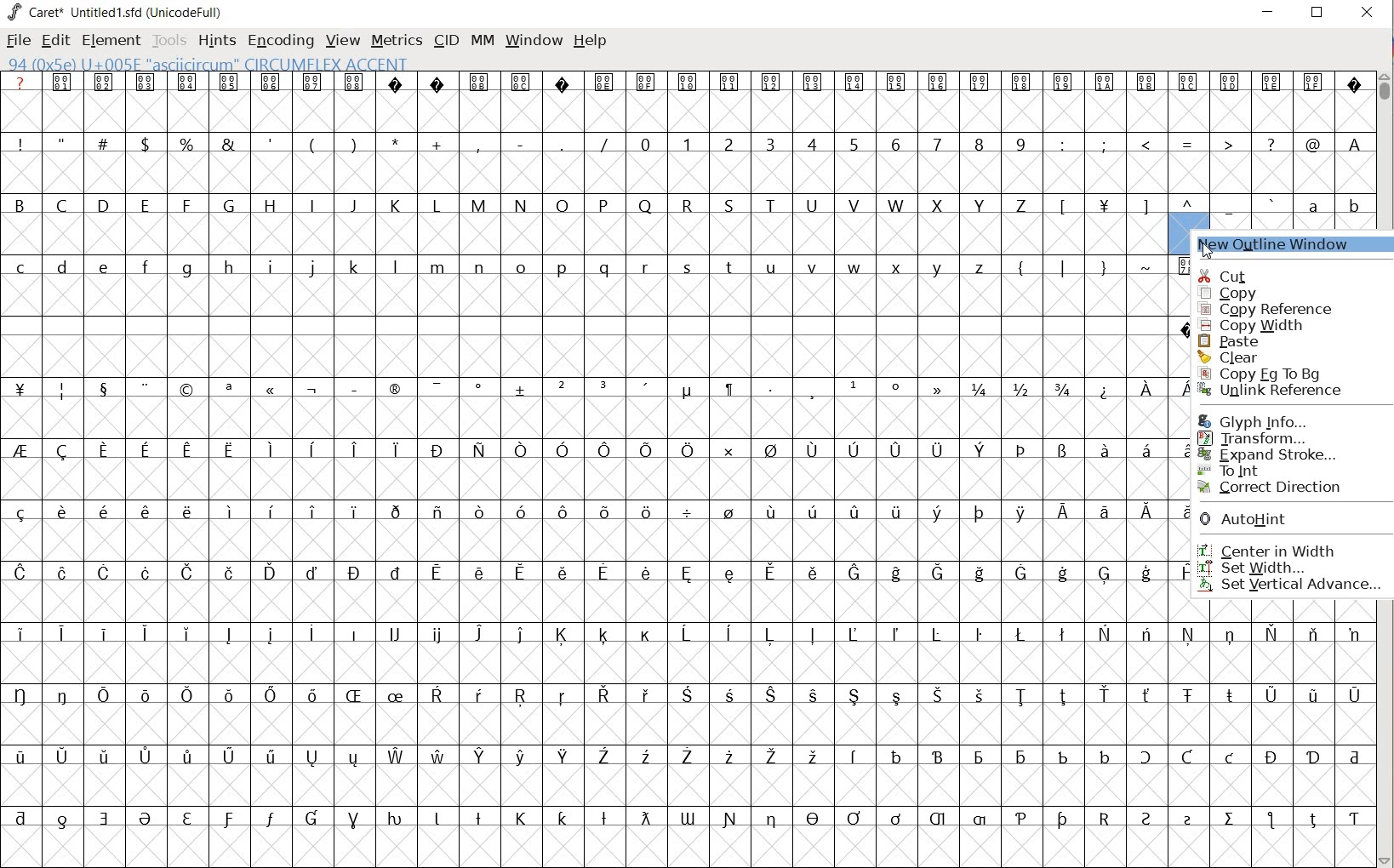 The height and width of the screenshot is (868, 1394). I want to click on MINIMIZE, so click(1269, 11).